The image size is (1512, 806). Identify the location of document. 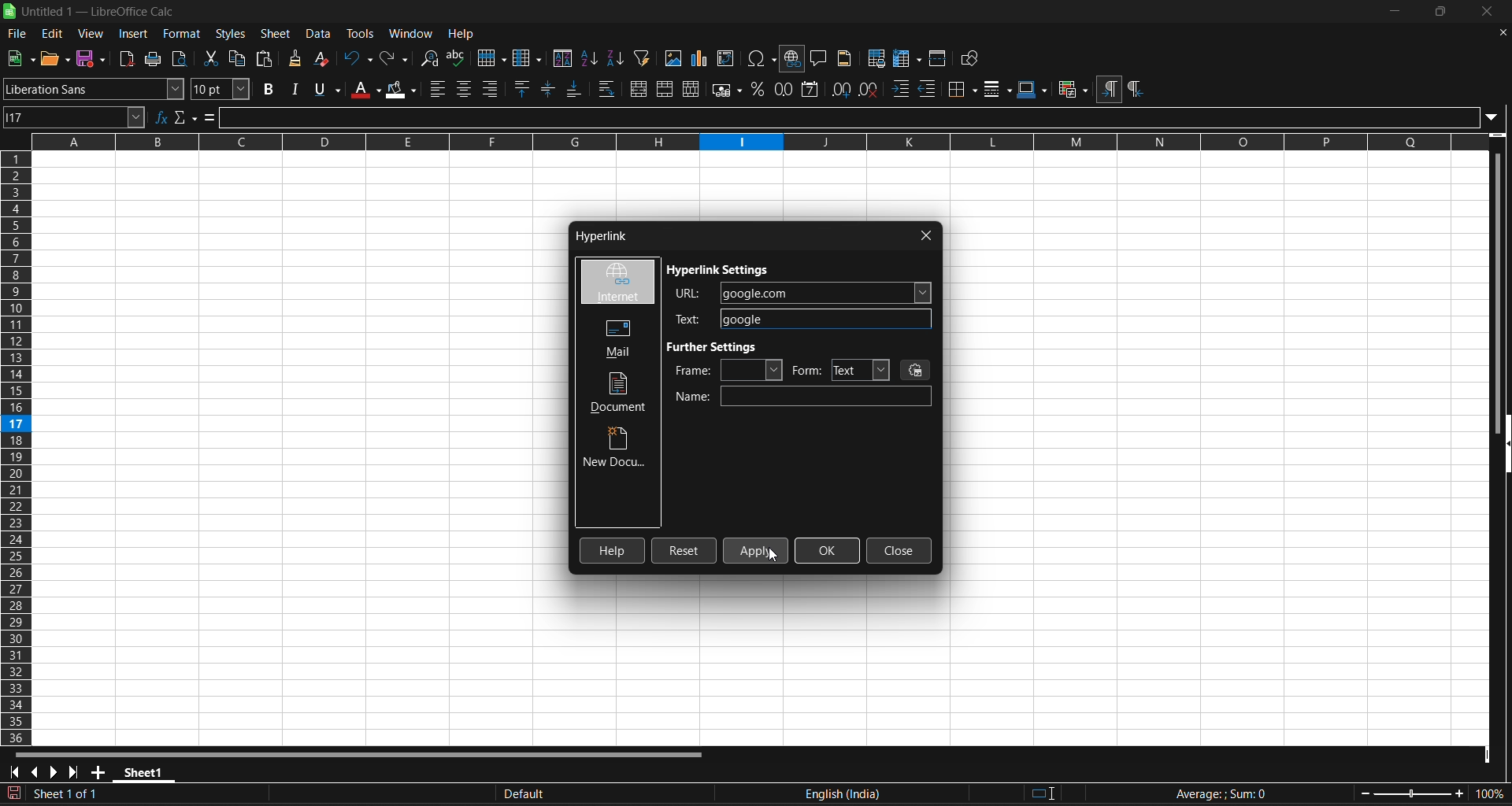
(621, 393).